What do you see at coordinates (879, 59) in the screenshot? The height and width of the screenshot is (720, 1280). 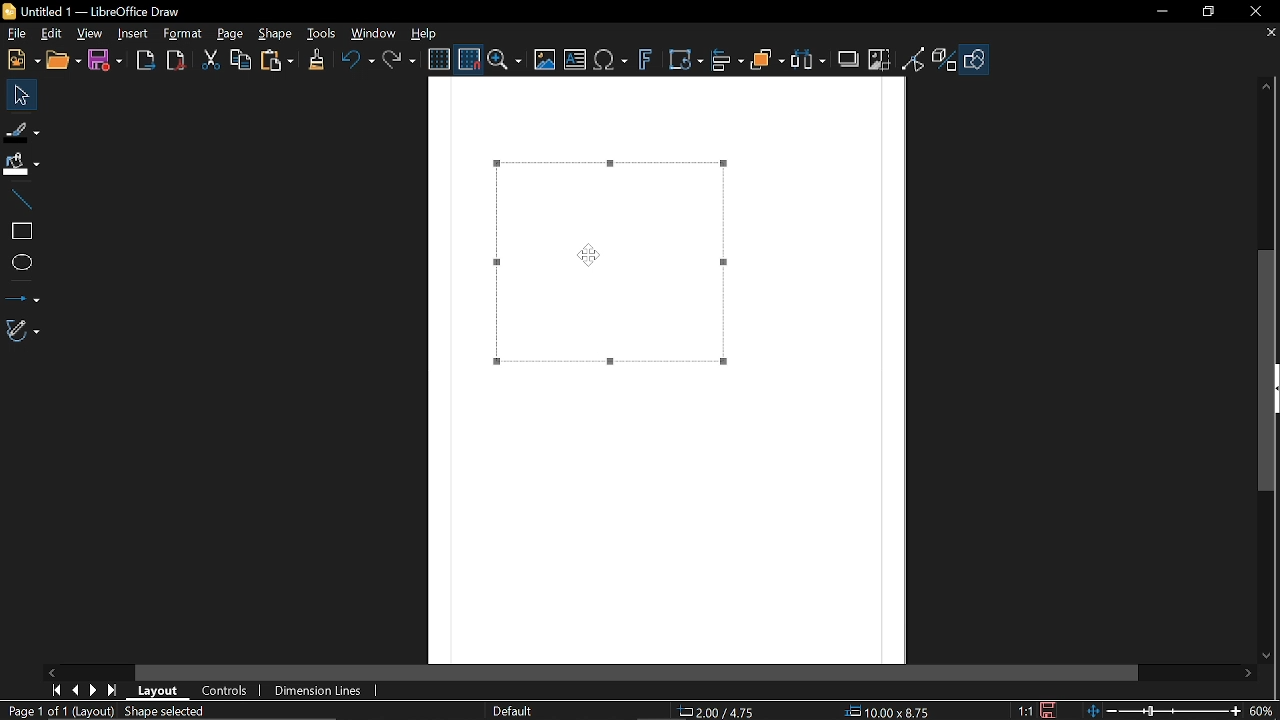 I see `Crop` at bounding box center [879, 59].